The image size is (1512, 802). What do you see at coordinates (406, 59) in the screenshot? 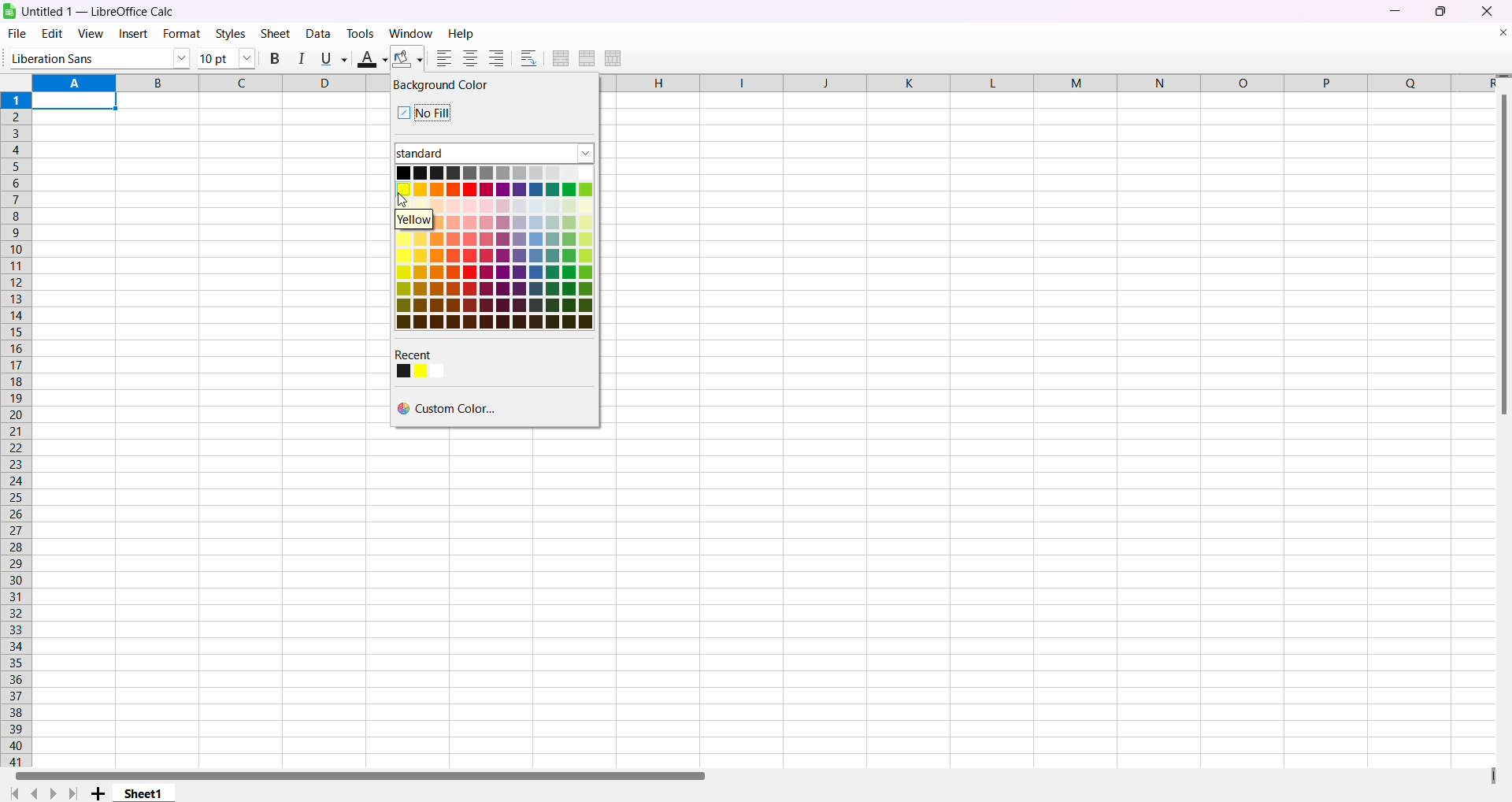
I see `background color` at bounding box center [406, 59].